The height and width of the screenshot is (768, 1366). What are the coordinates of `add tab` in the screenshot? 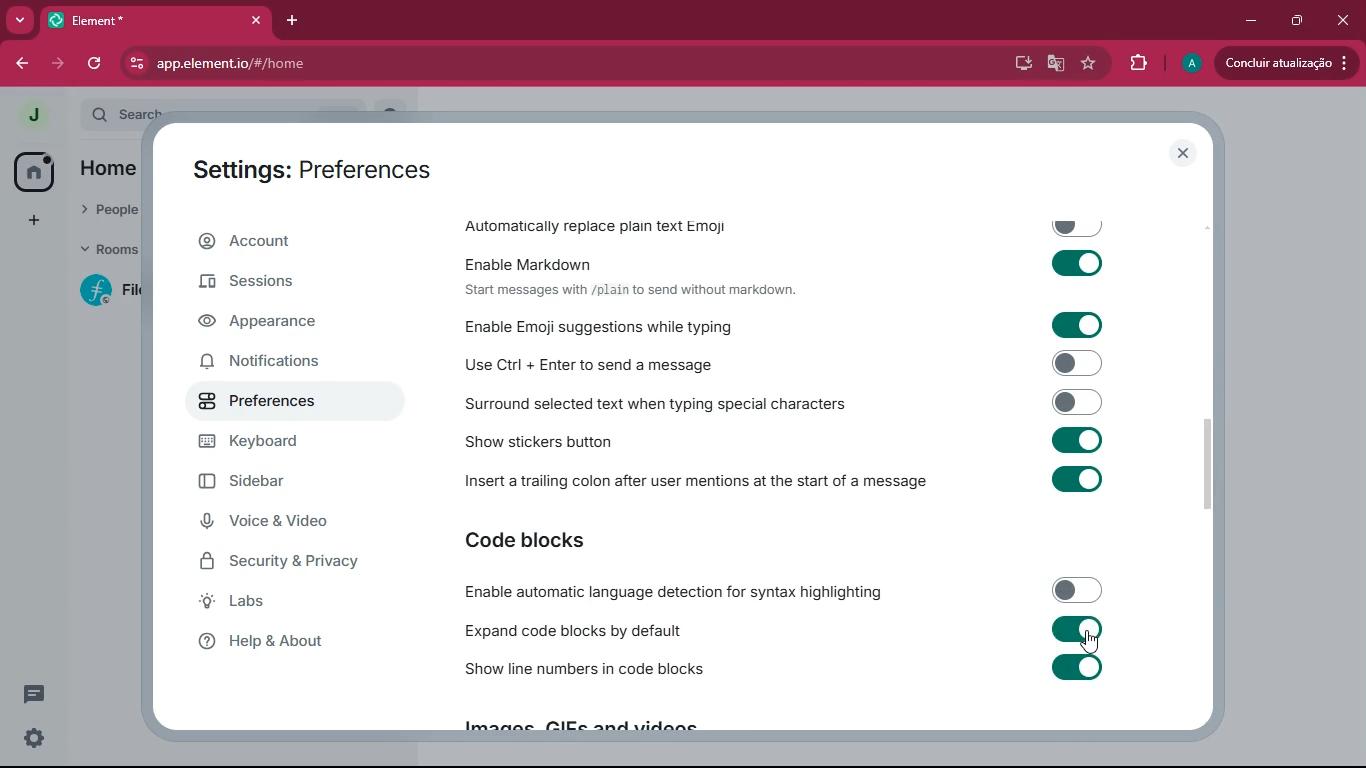 It's located at (288, 24).